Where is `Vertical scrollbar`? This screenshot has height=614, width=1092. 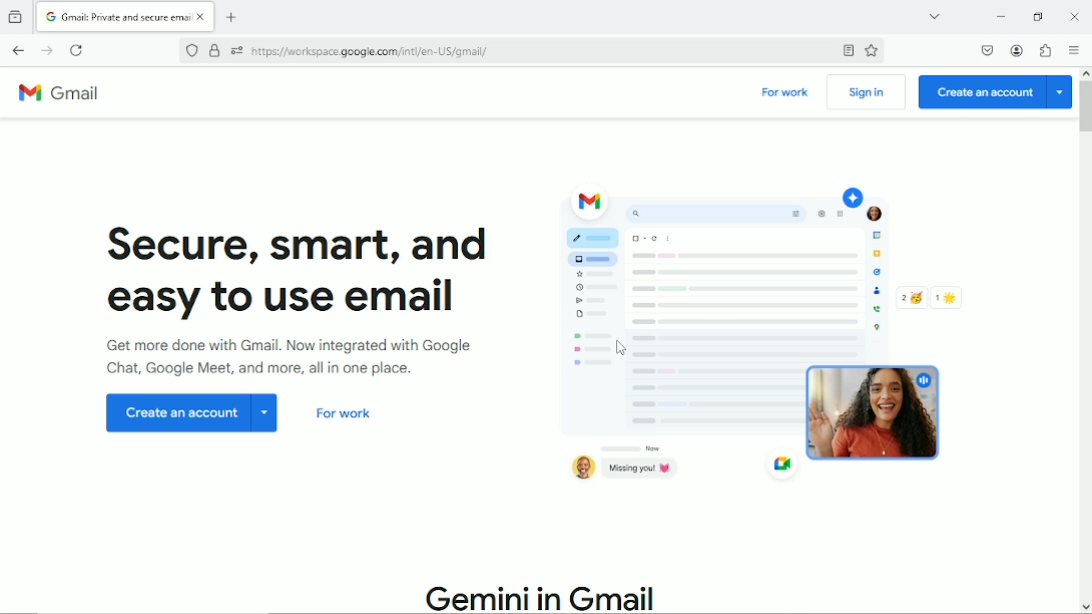
Vertical scrollbar is located at coordinates (1084, 107).